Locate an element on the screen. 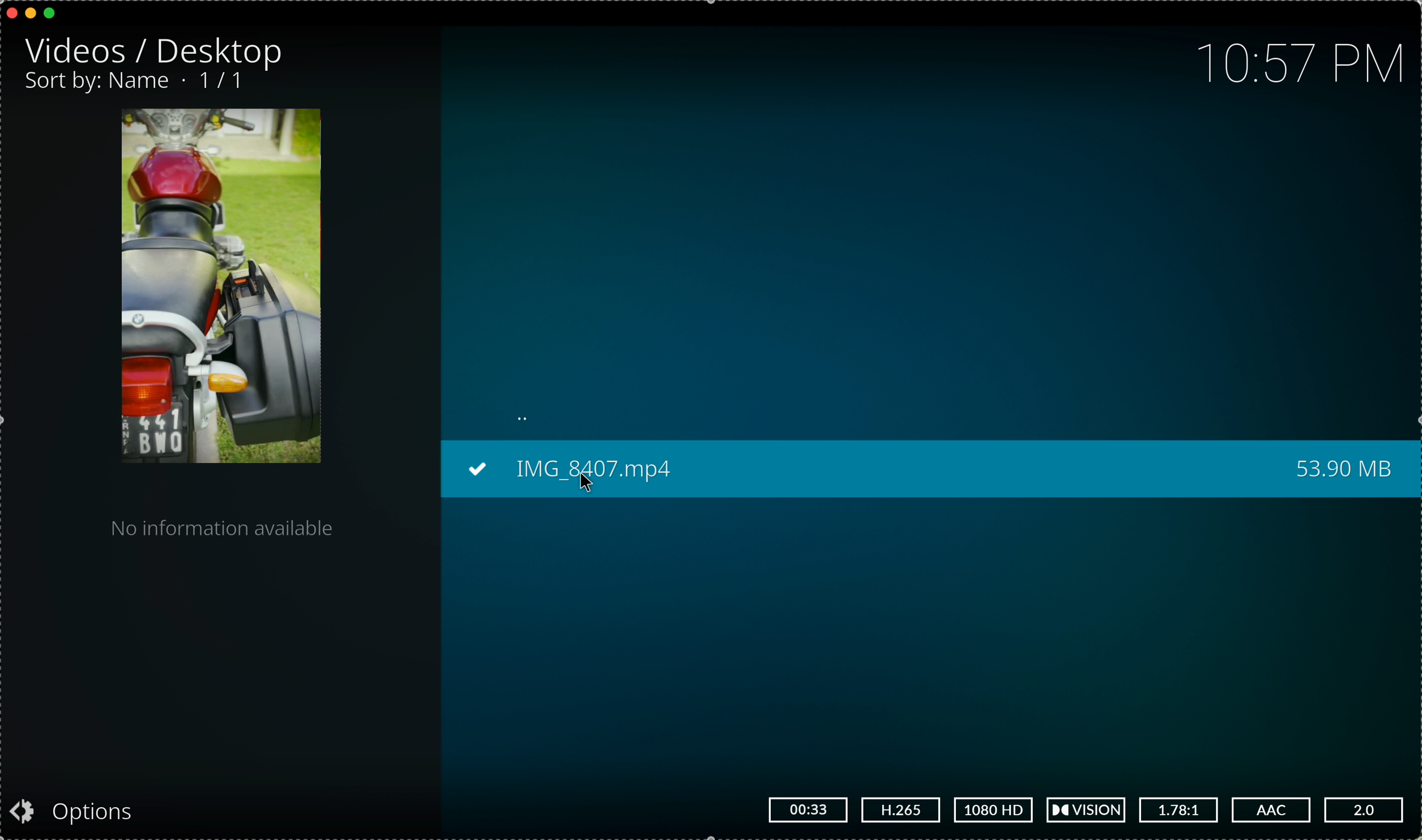 Image resolution: width=1422 pixels, height=840 pixels. H.265 is located at coordinates (903, 809).